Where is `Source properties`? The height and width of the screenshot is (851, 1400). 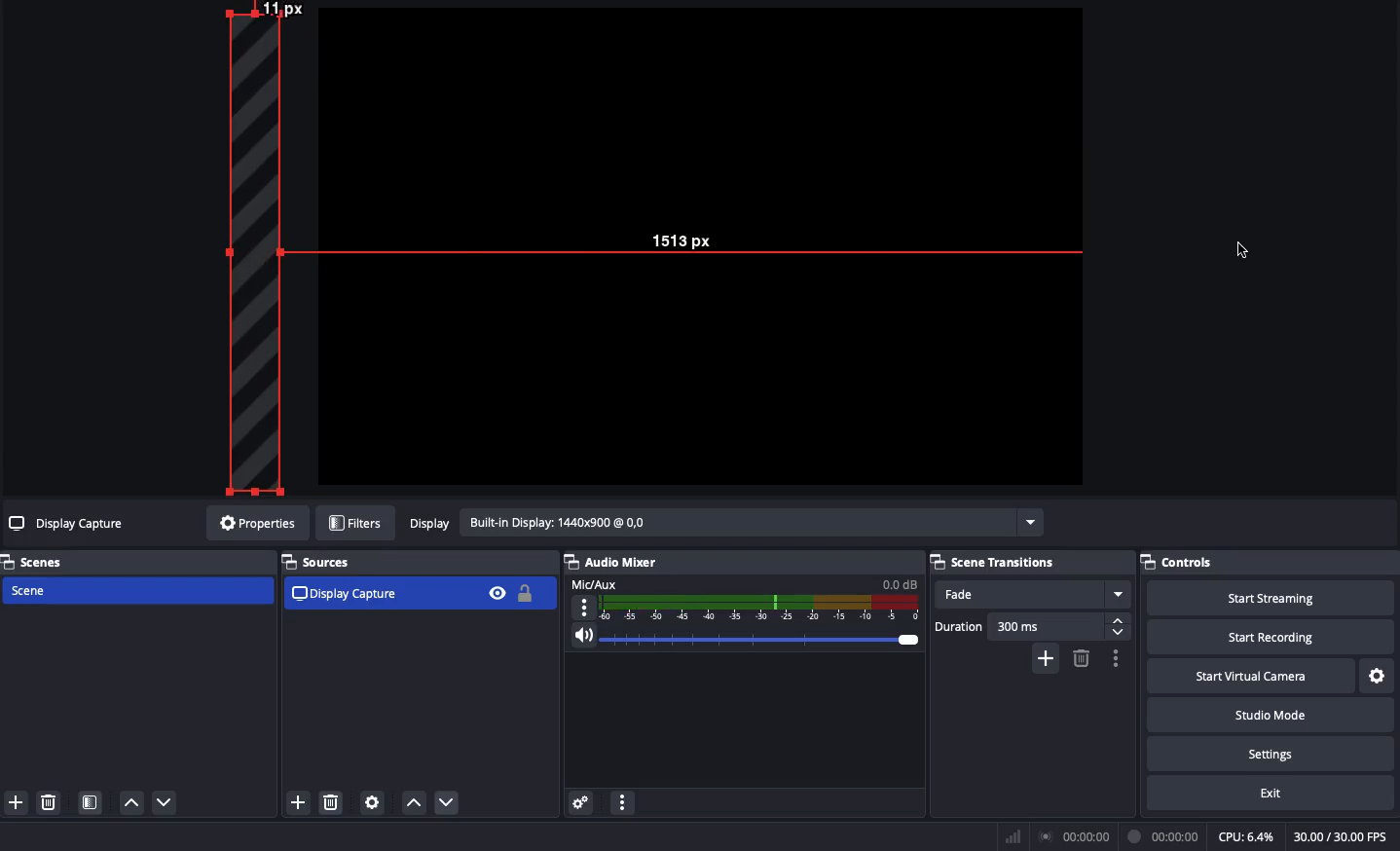
Source properties is located at coordinates (371, 803).